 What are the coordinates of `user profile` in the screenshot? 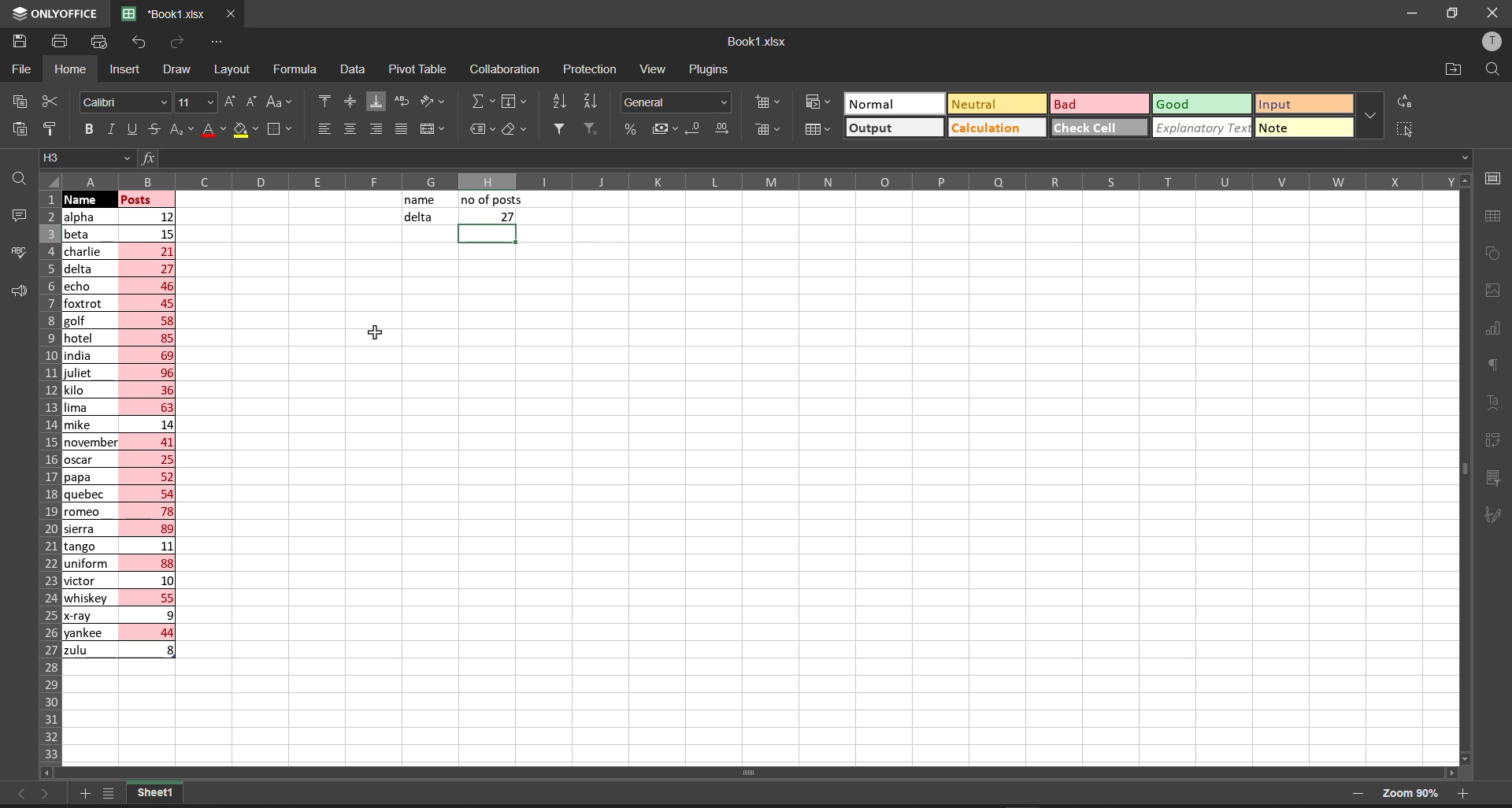 It's located at (1494, 41).